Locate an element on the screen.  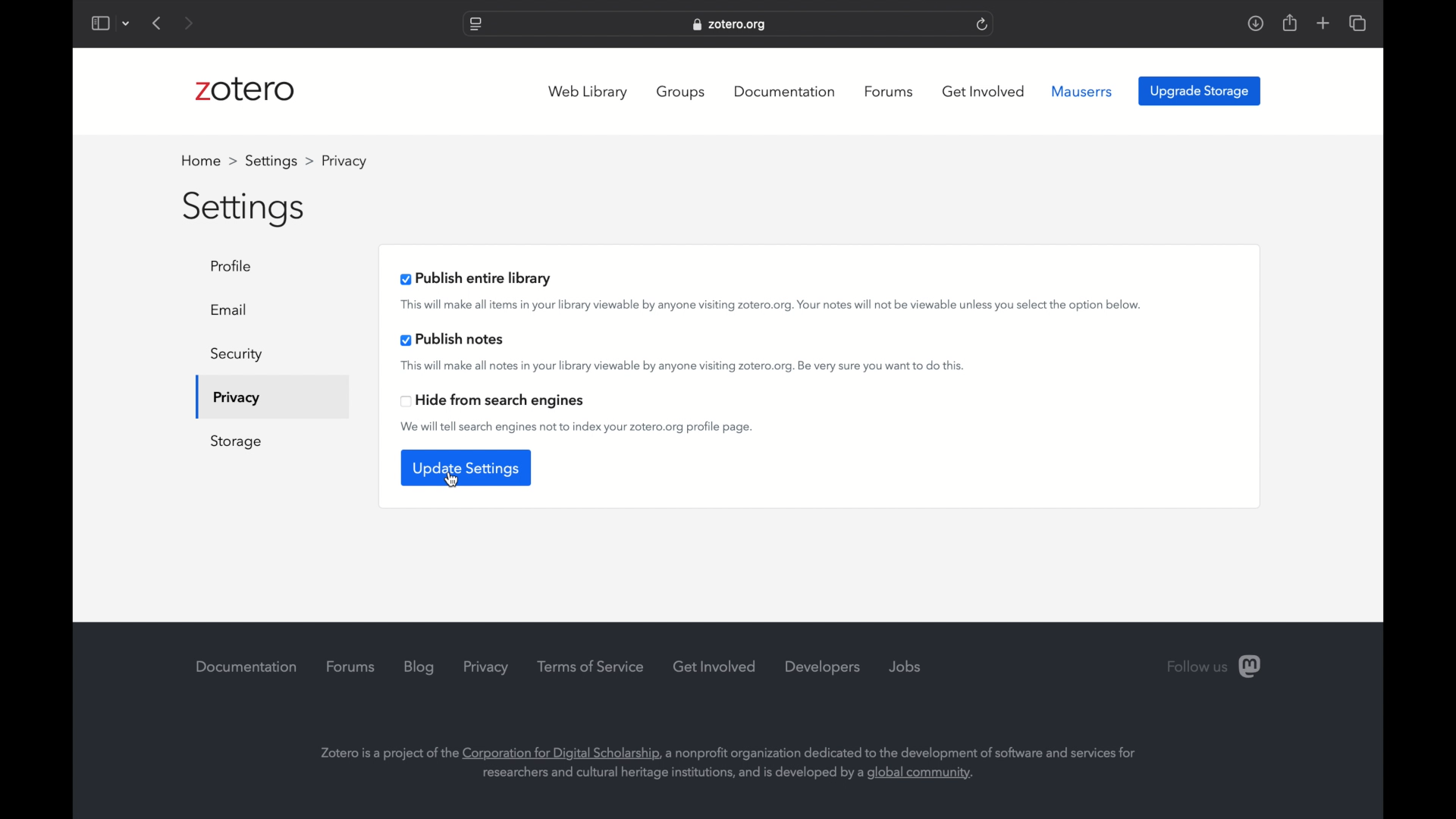
cursor is located at coordinates (451, 480).